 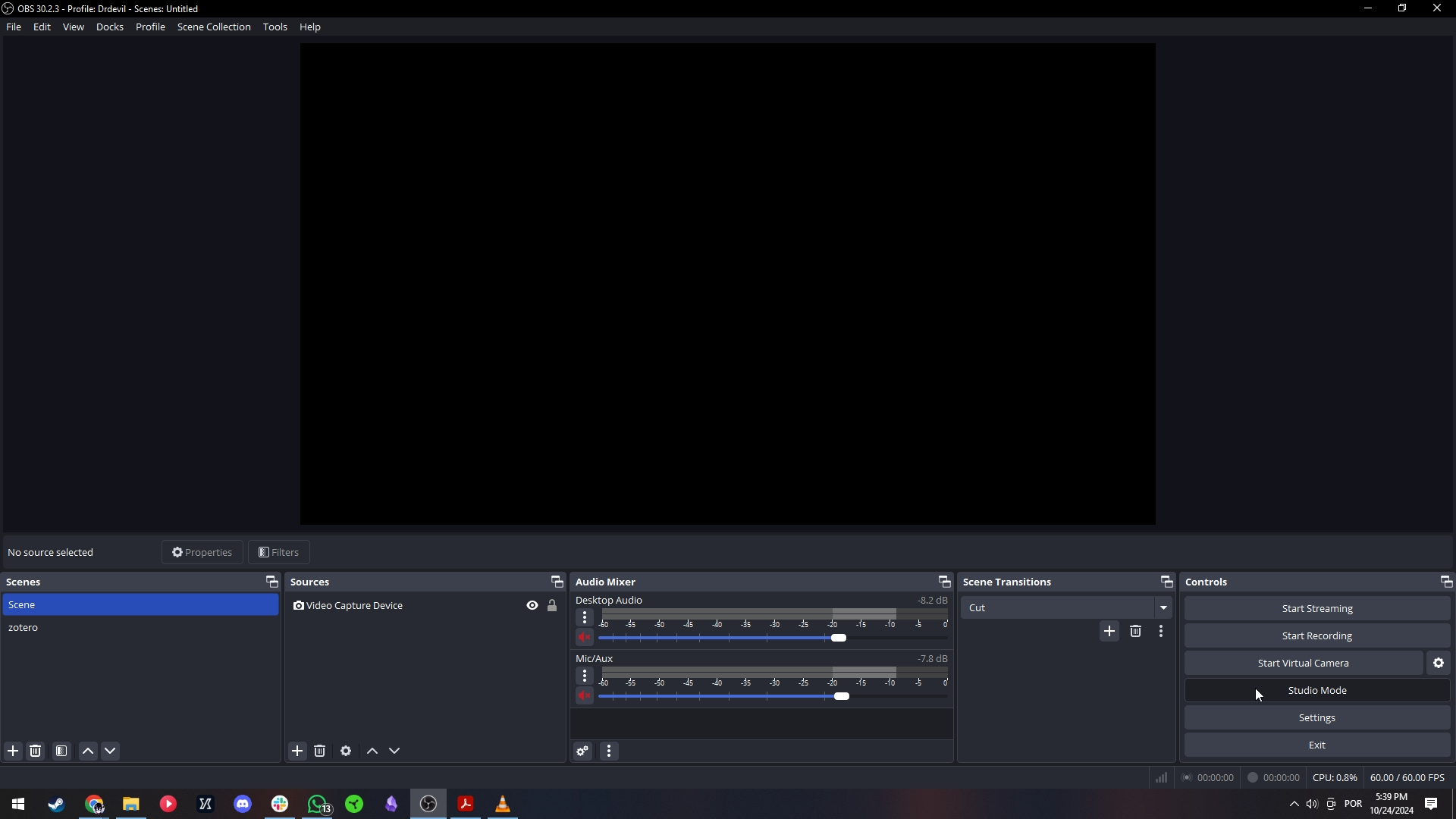 I want to click on Separate sources window, so click(x=561, y=582).